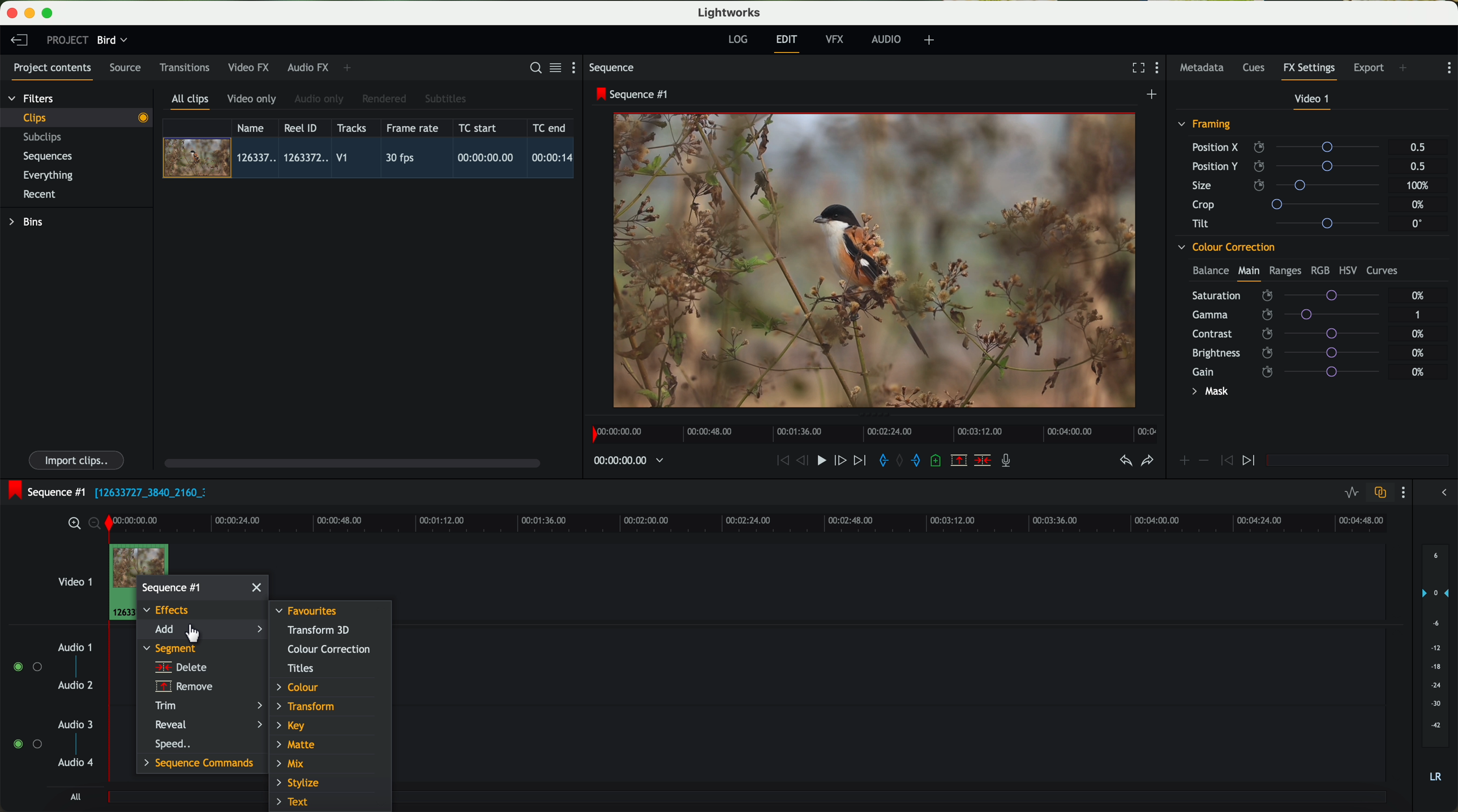 The height and width of the screenshot is (812, 1458). I want to click on balance, so click(1211, 272).